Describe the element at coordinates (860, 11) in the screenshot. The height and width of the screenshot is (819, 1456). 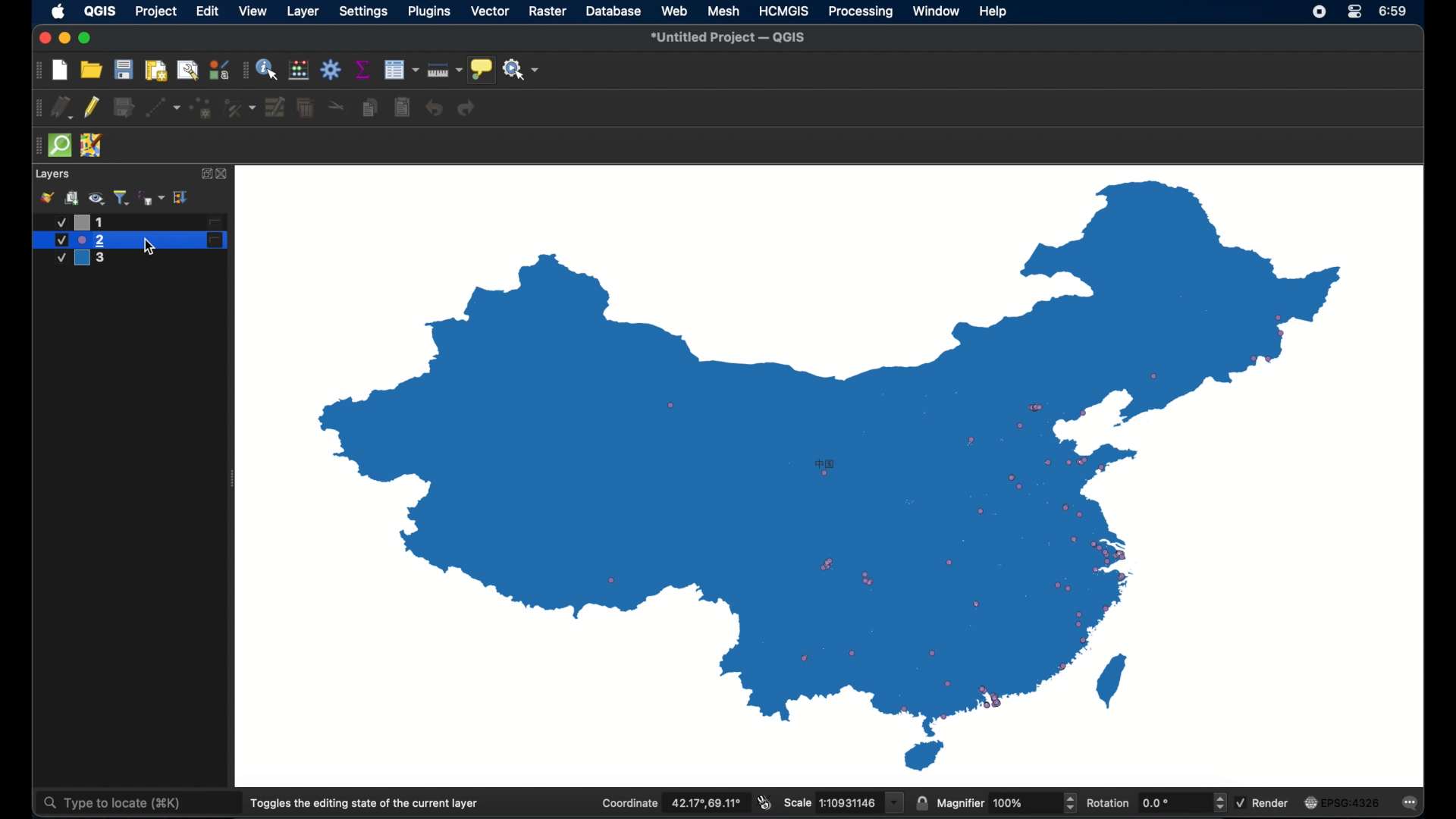
I see `processing` at that location.